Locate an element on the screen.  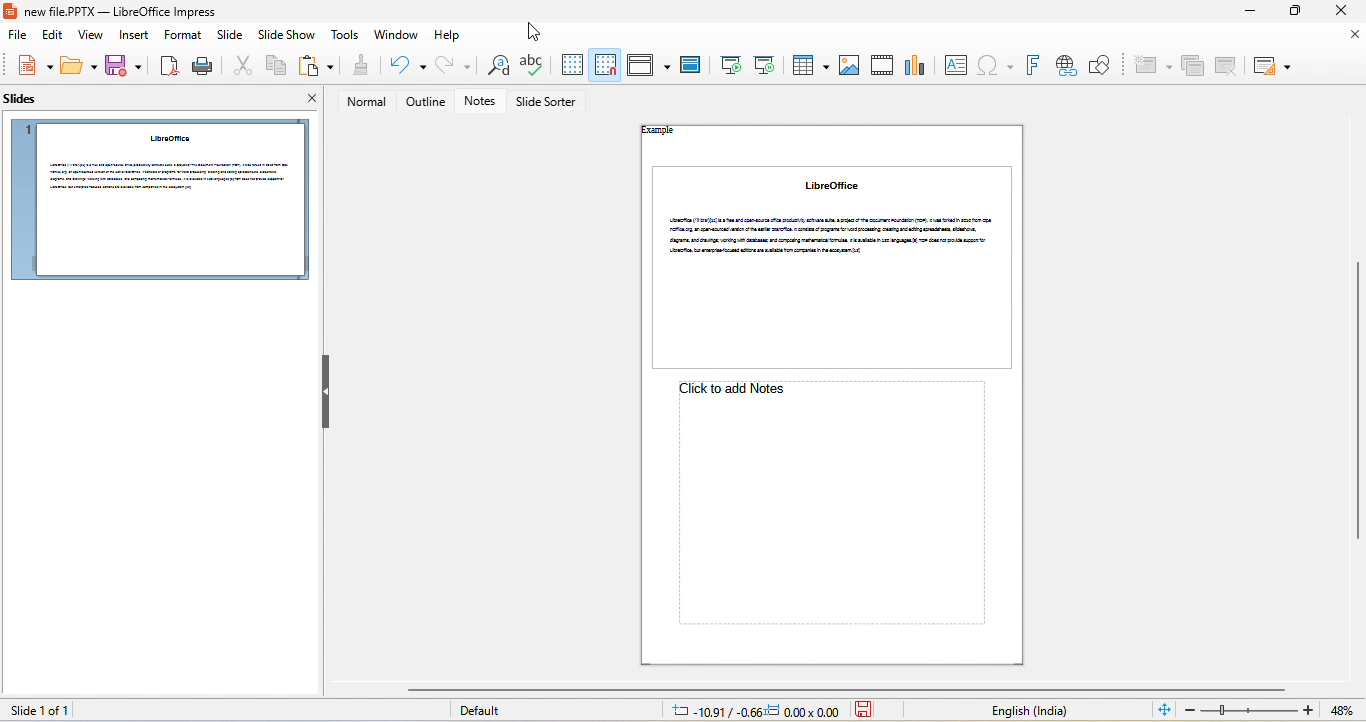
duplicate slide is located at coordinates (1193, 67).